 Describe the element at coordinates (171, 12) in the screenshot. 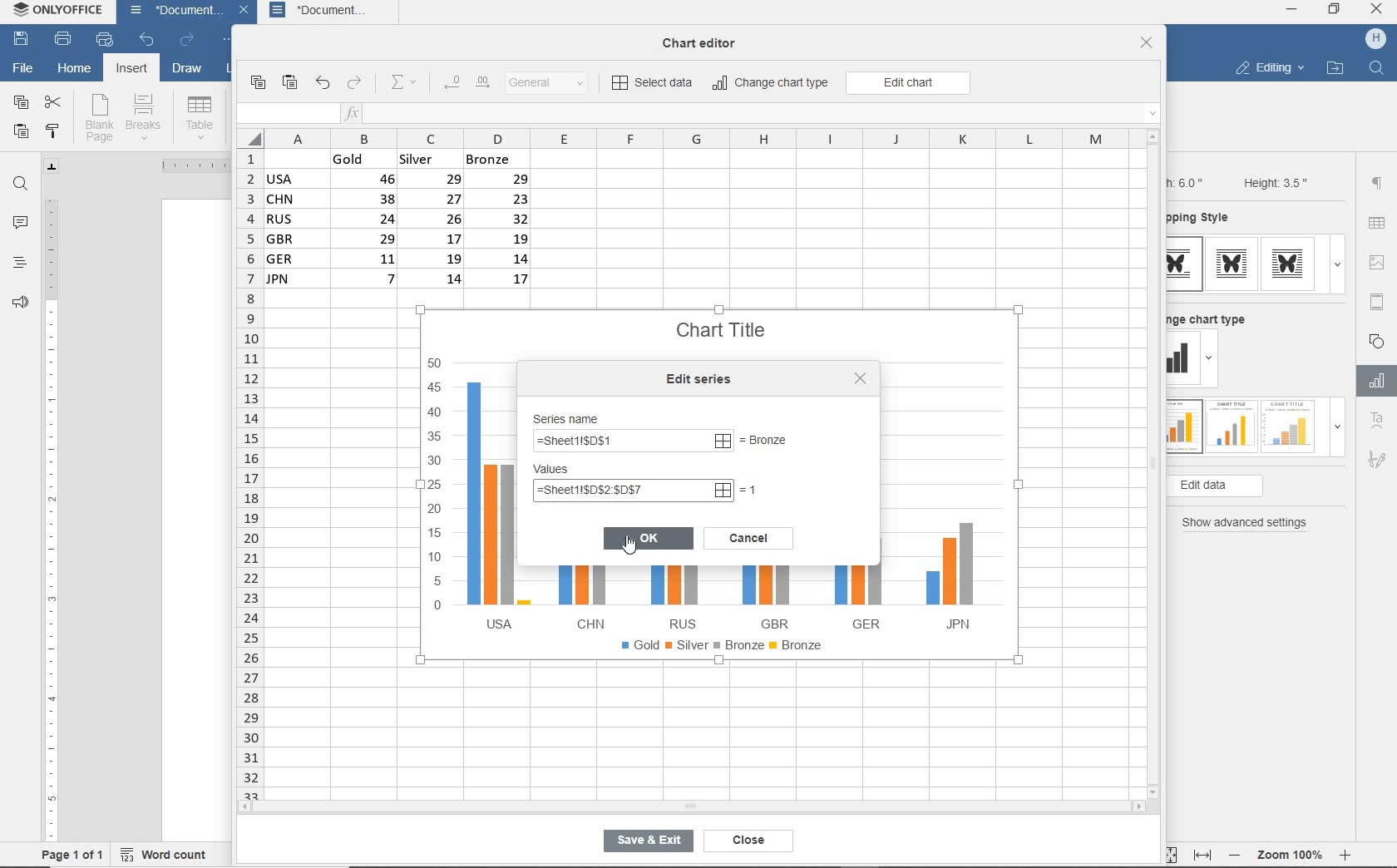

I see `document name` at that location.